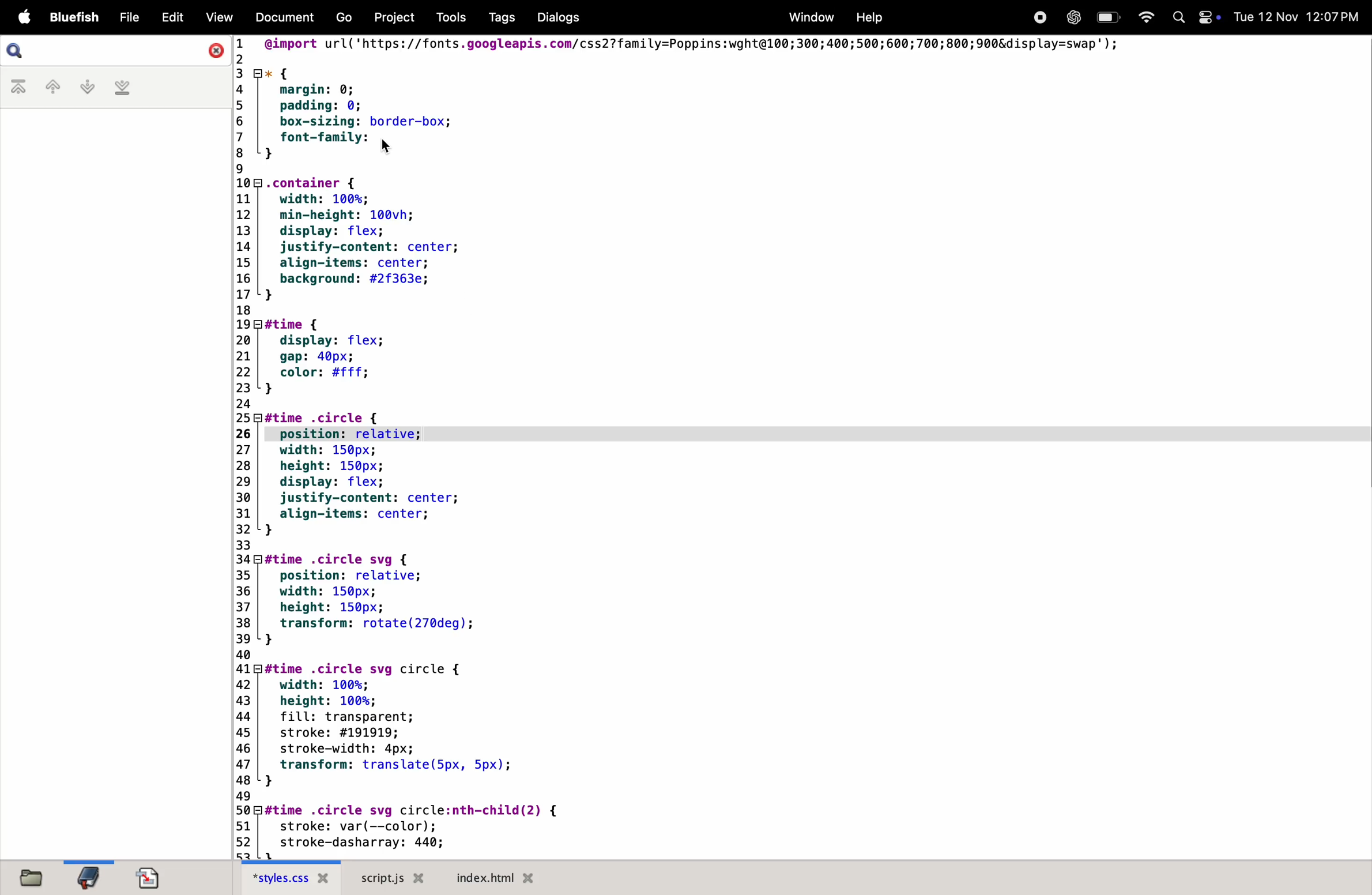 The image size is (1372, 895). Describe the element at coordinates (1107, 17) in the screenshot. I see `battery` at that location.